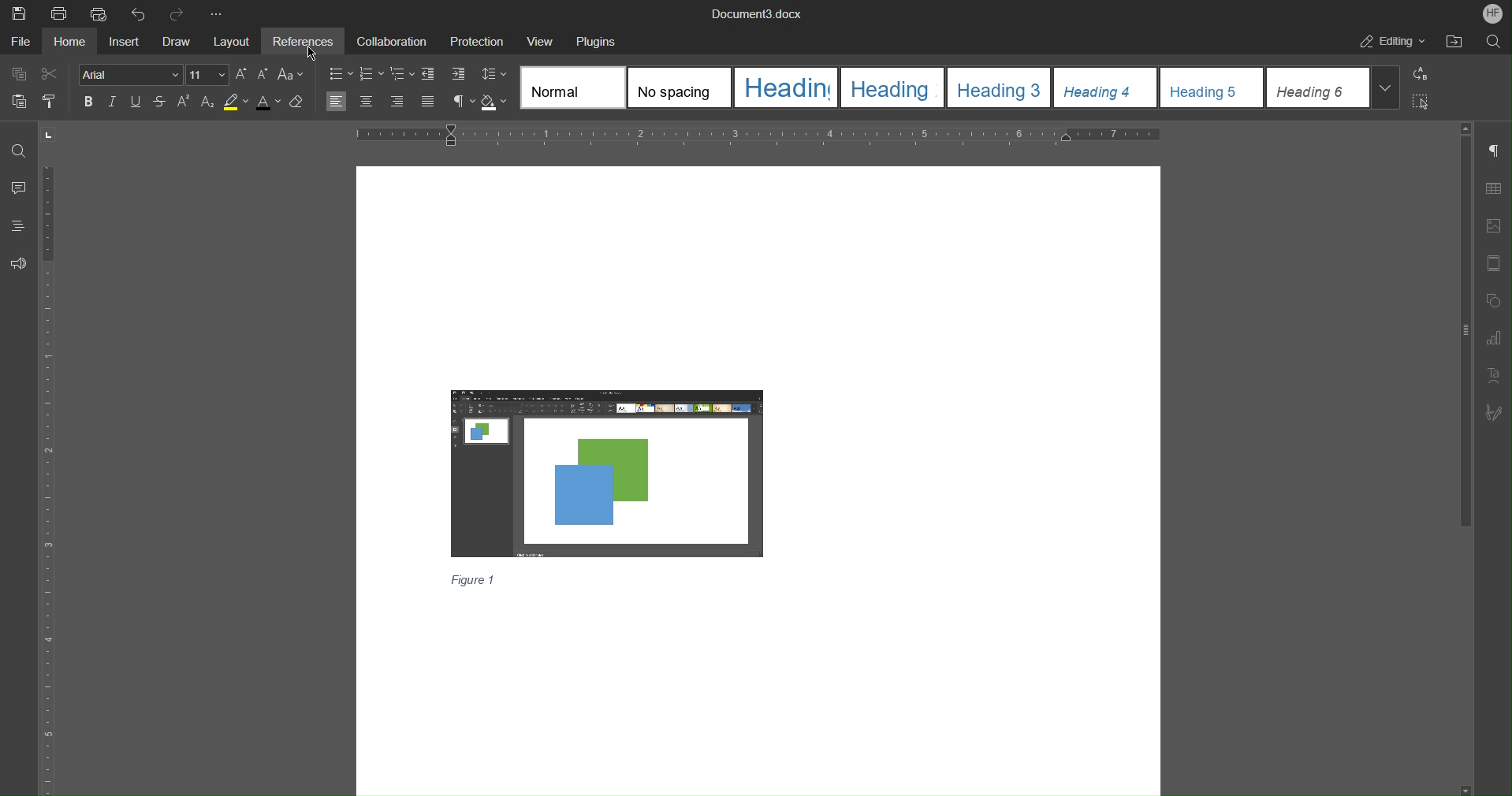  I want to click on File, so click(23, 42).